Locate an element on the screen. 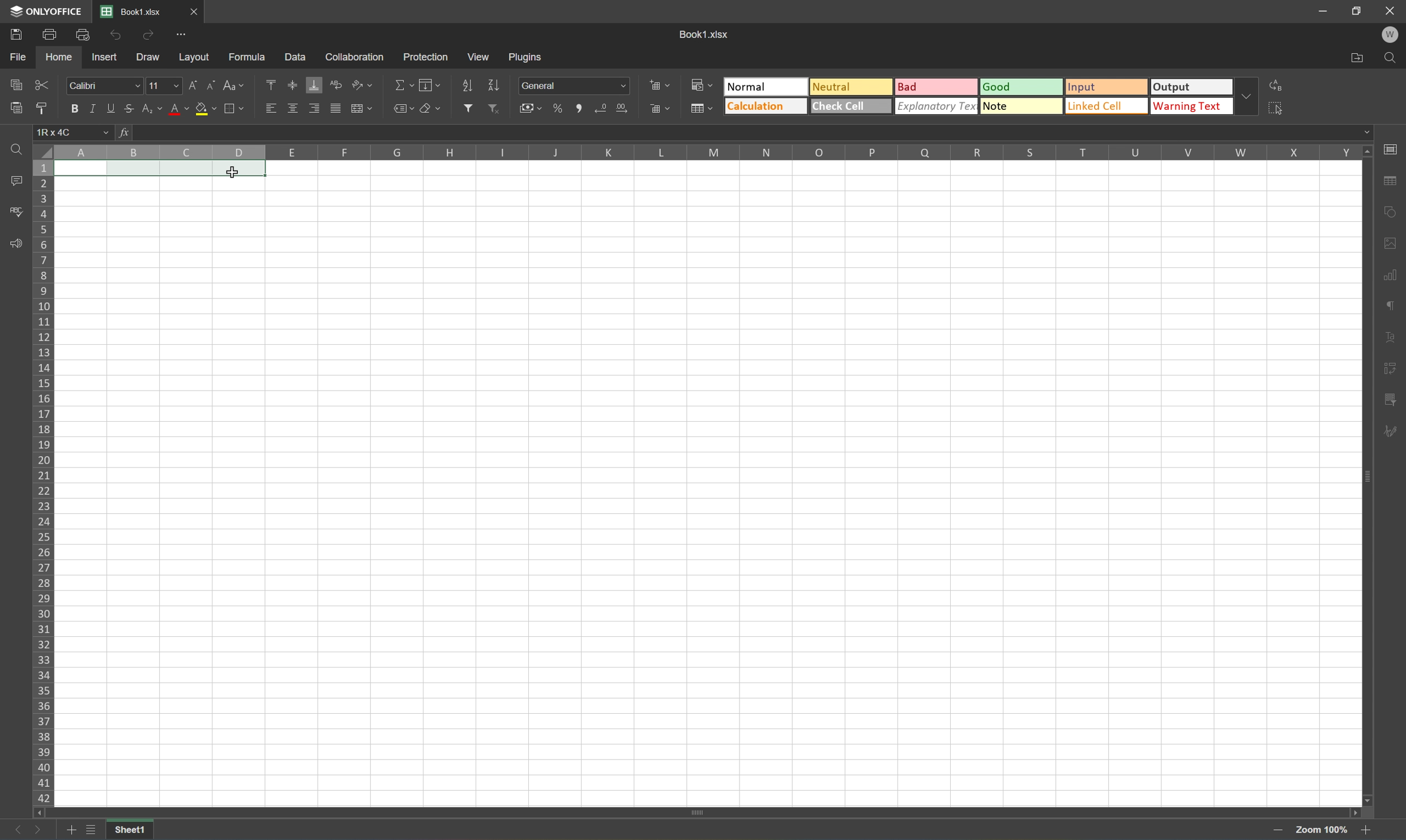 This screenshot has height=840, width=1406. Spell checking is located at coordinates (14, 212).